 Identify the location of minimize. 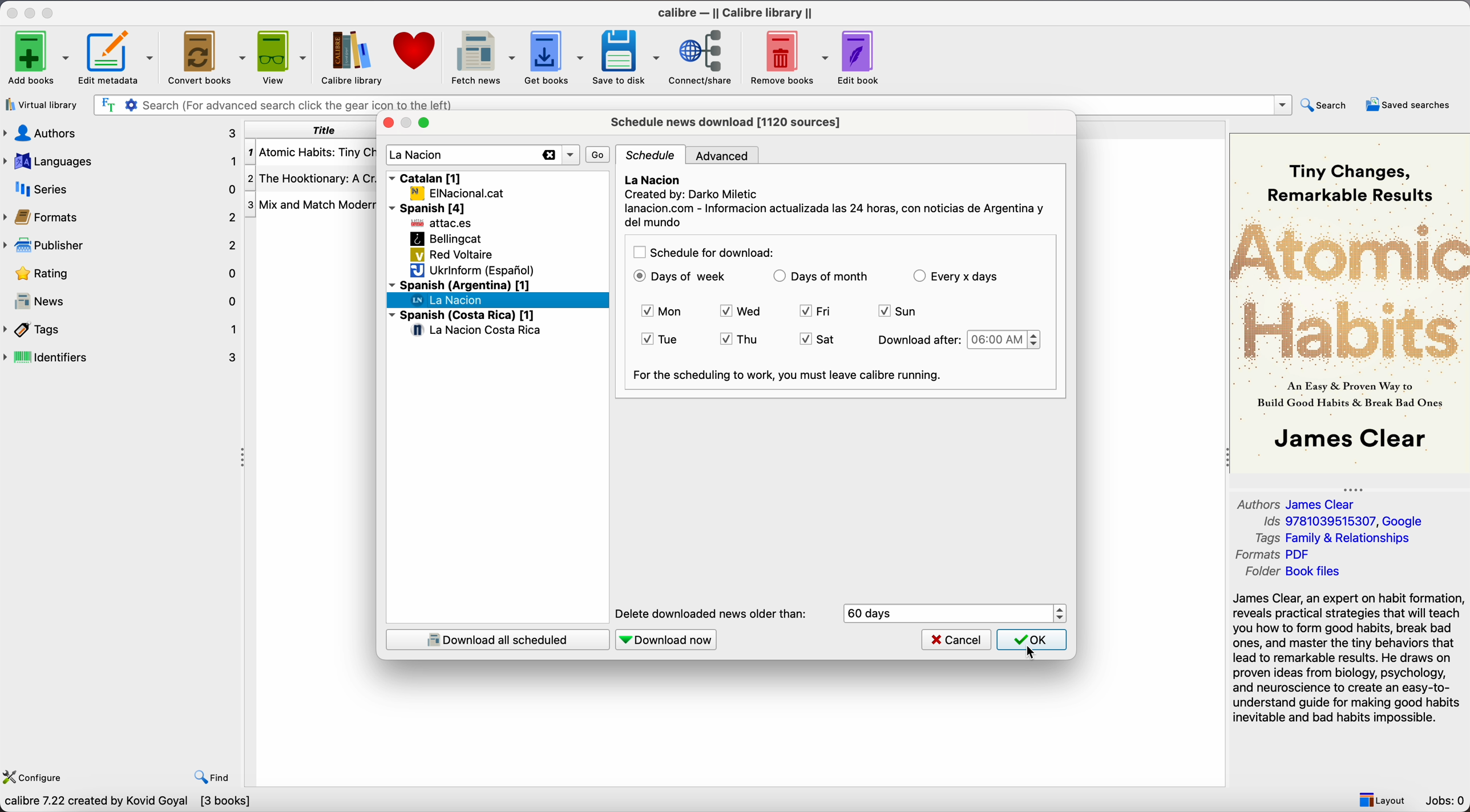
(32, 11).